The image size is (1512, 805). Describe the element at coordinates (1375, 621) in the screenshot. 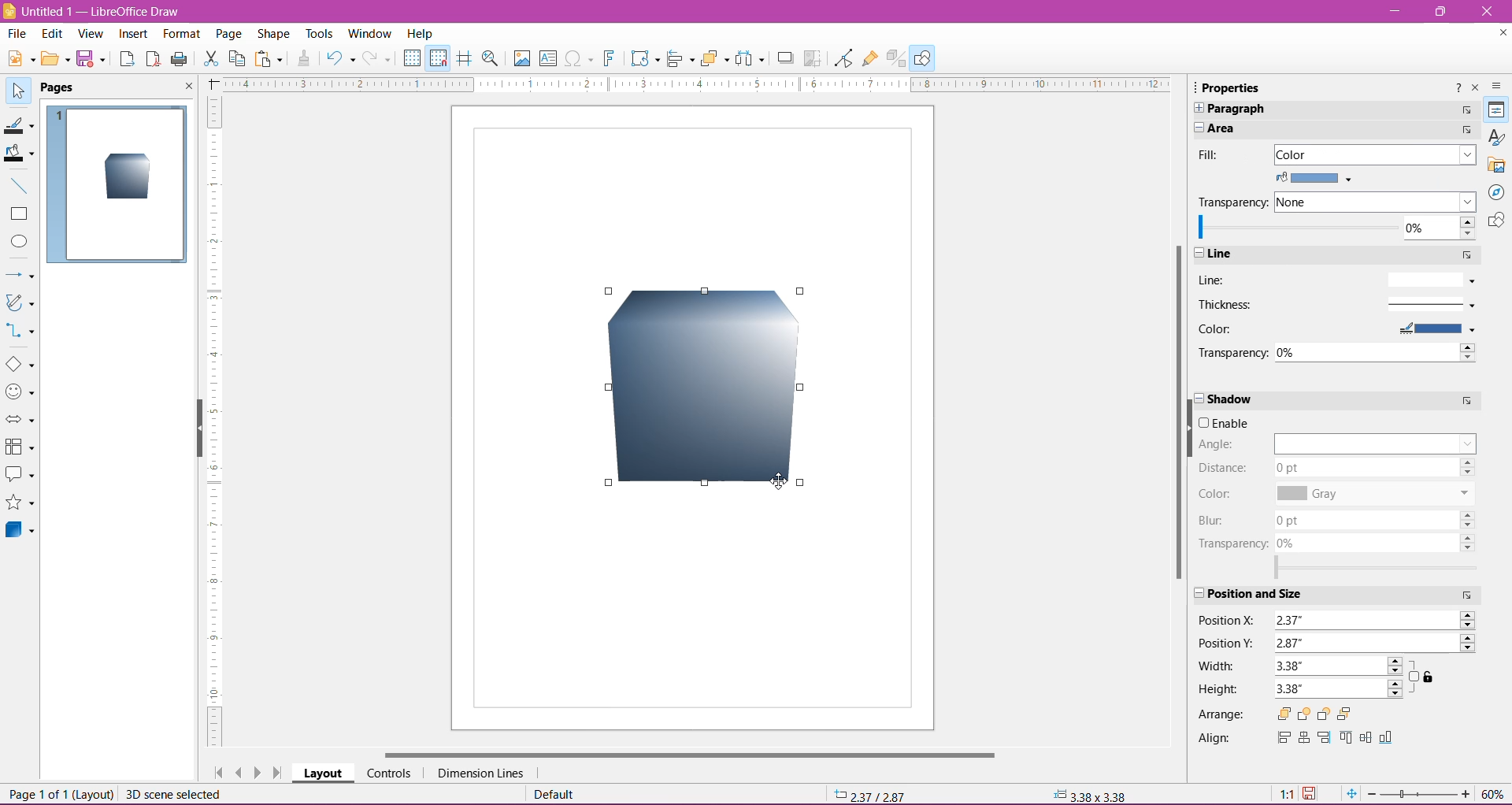

I see `Enter the value for horizontal position` at that location.